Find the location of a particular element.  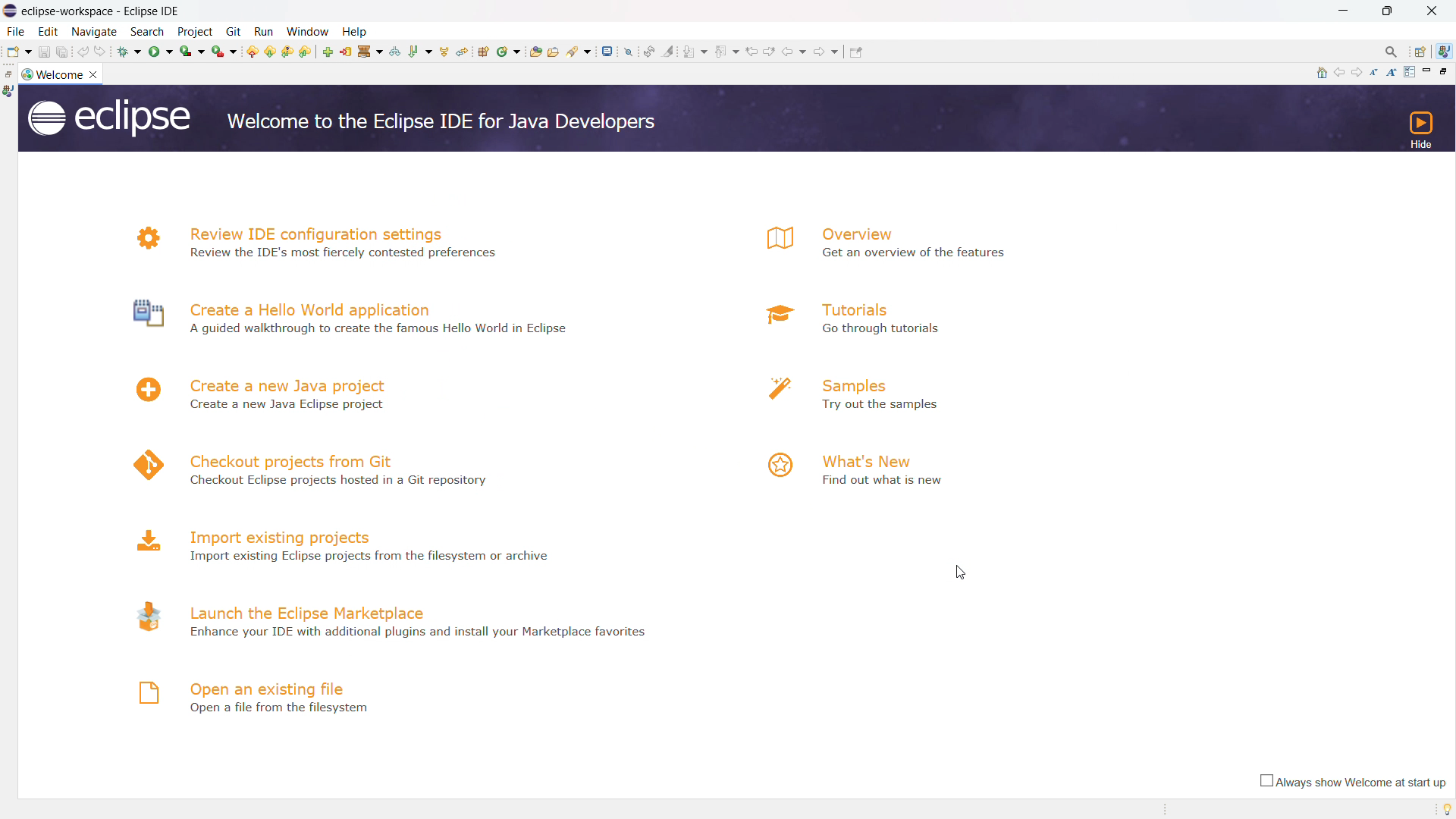

open an existing file is located at coordinates (268, 688).